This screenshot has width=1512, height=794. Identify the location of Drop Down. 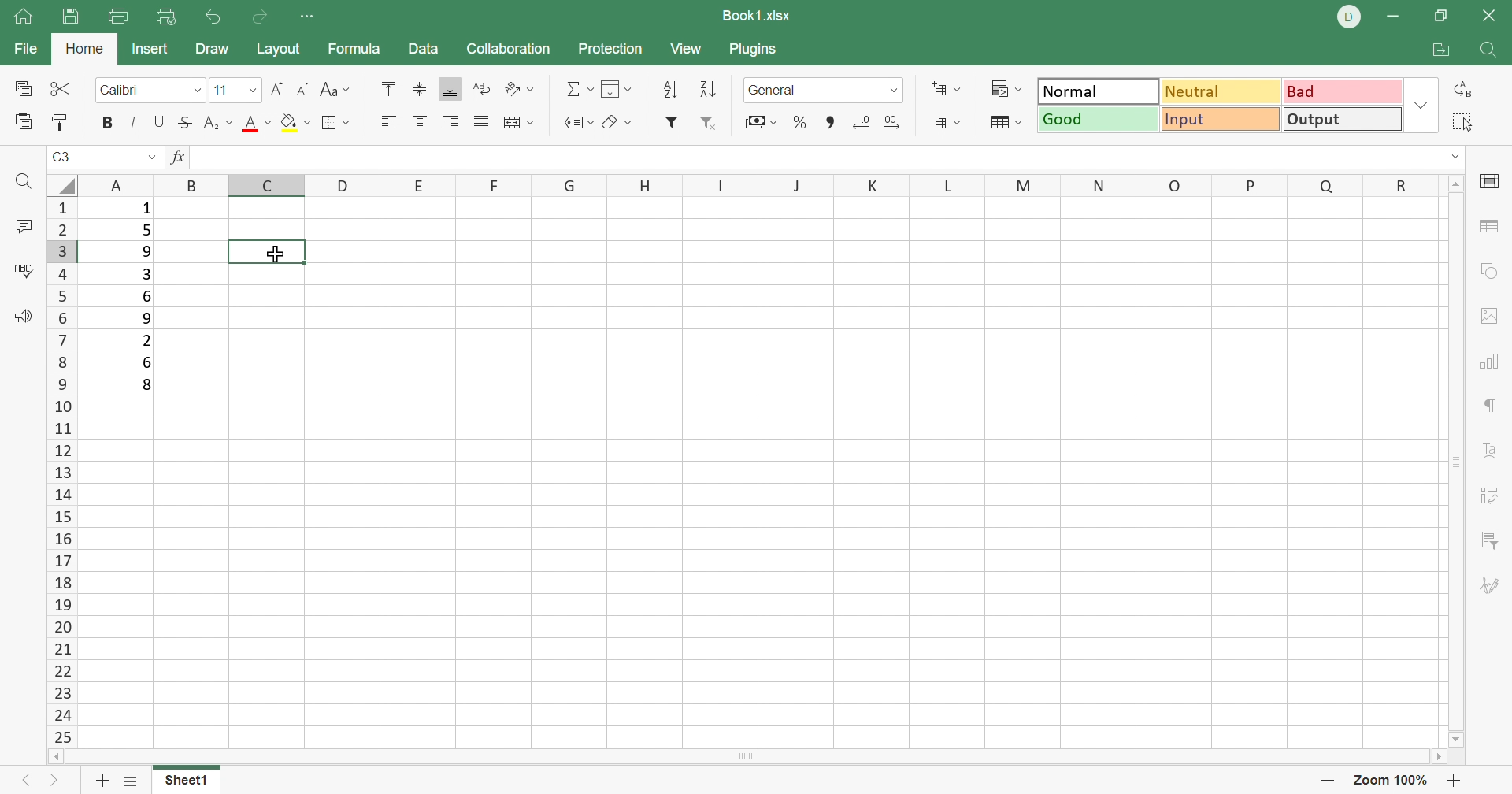
(197, 90).